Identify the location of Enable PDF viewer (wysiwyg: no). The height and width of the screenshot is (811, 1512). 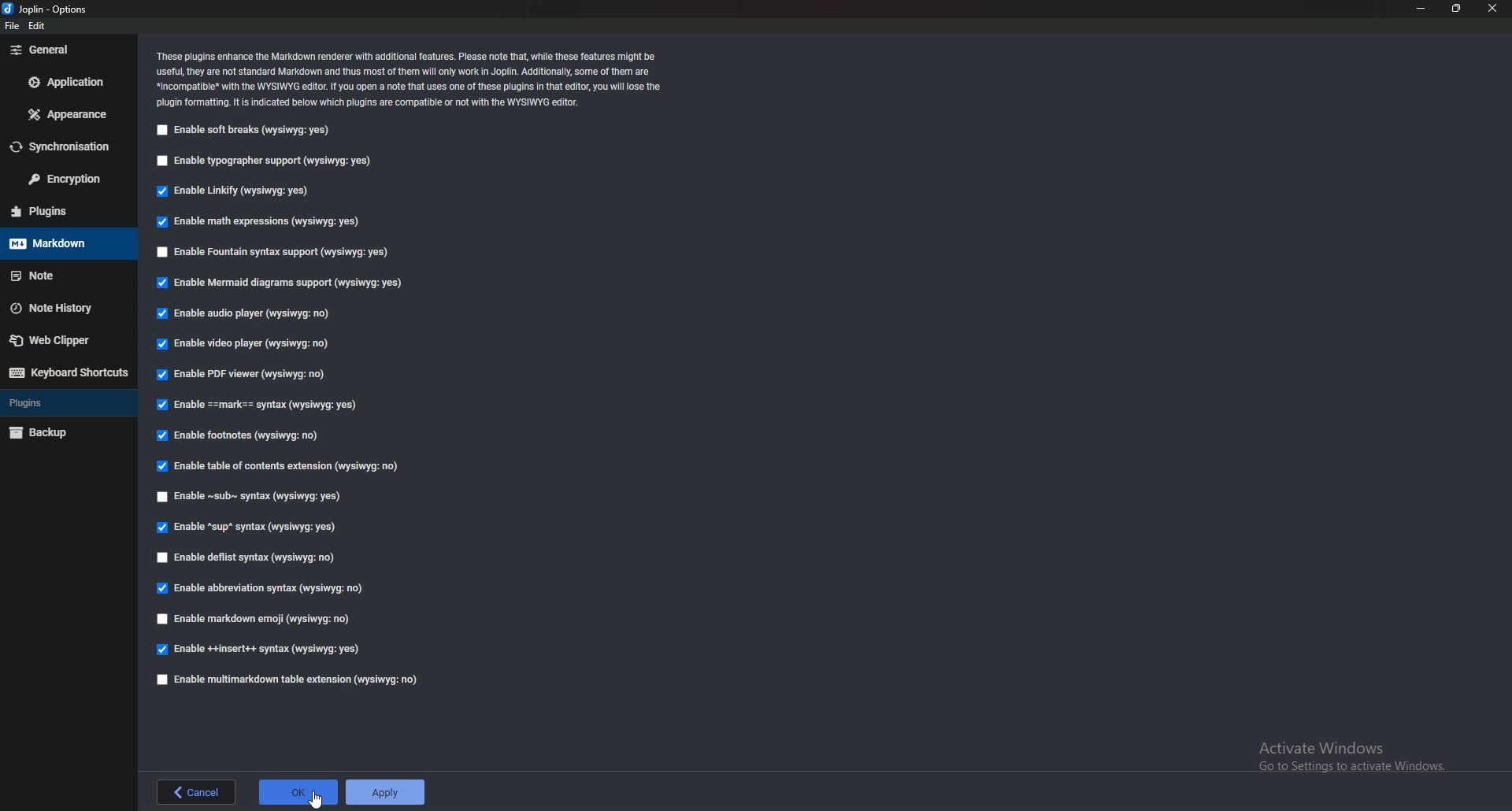
(250, 372).